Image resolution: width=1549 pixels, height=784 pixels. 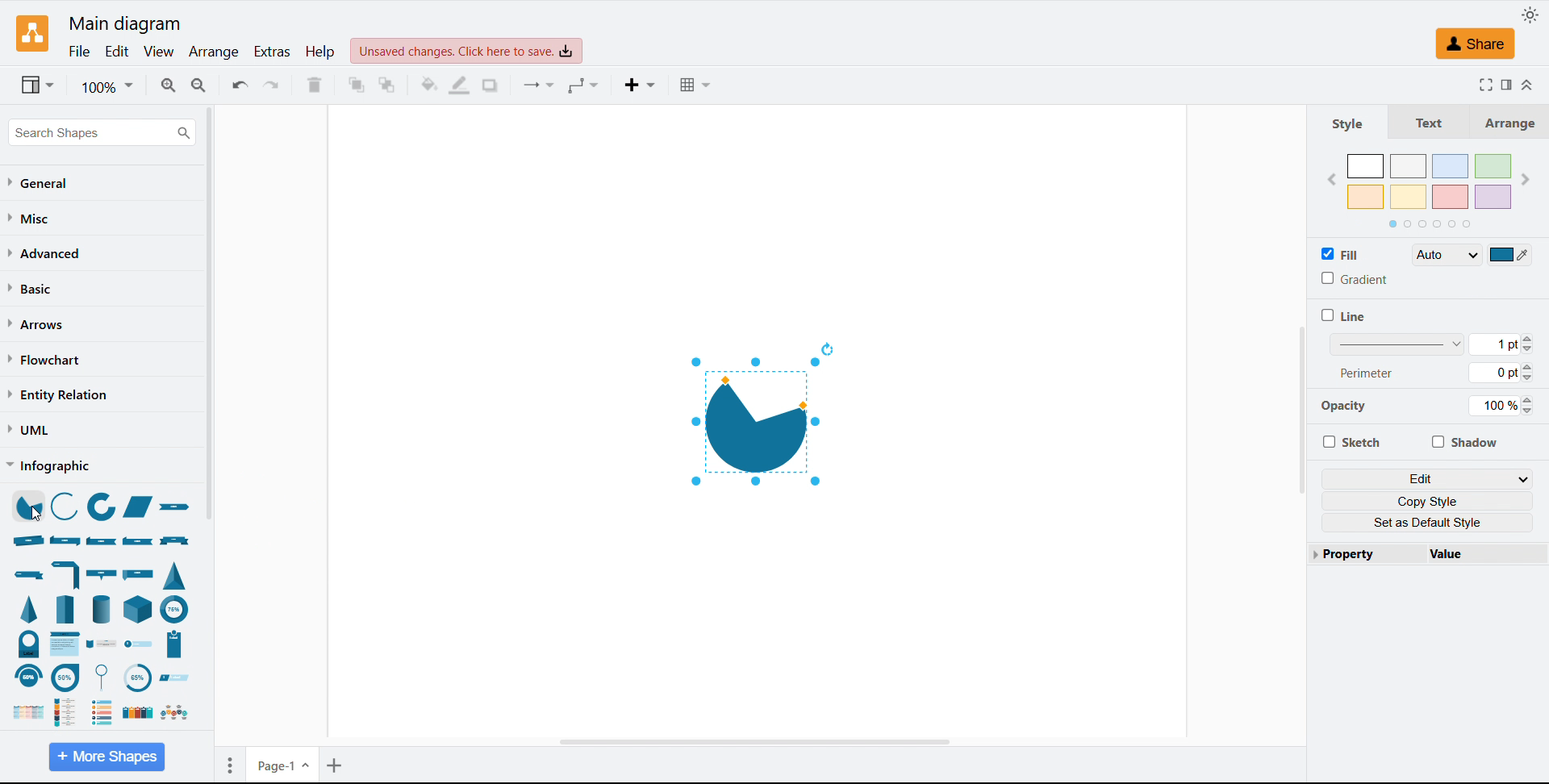 What do you see at coordinates (273, 85) in the screenshot?
I see `Redo ` at bounding box center [273, 85].